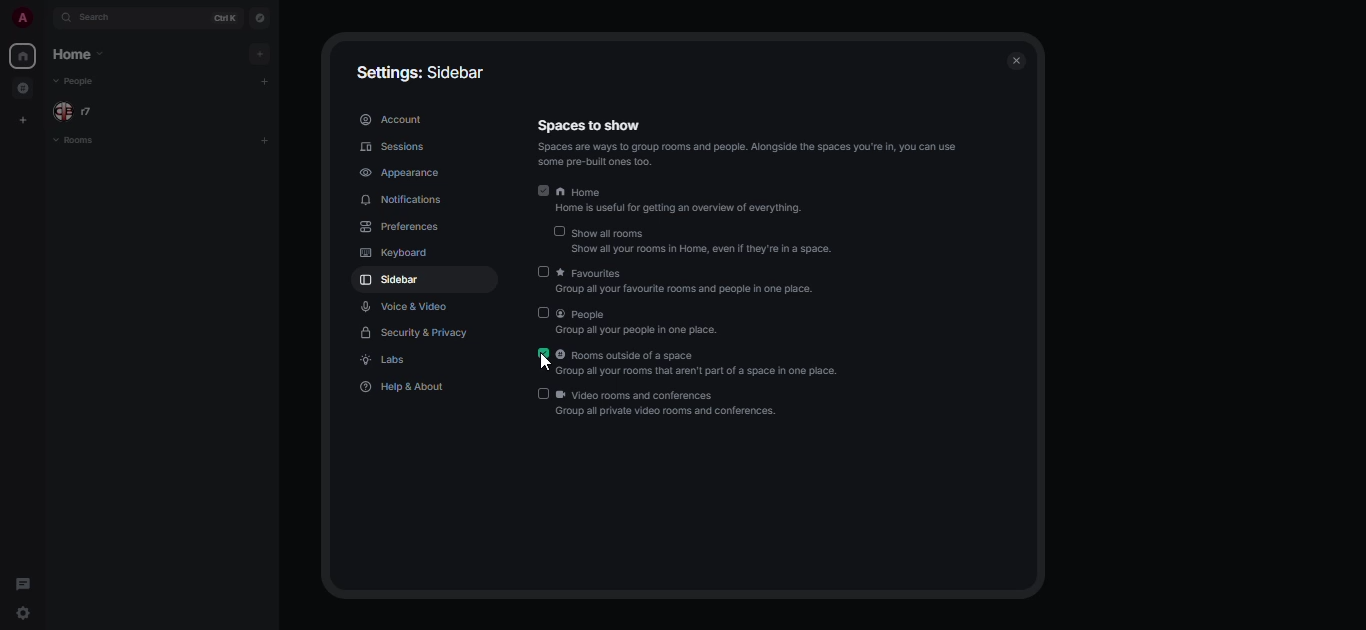  Describe the element at coordinates (385, 361) in the screenshot. I see `labs` at that location.